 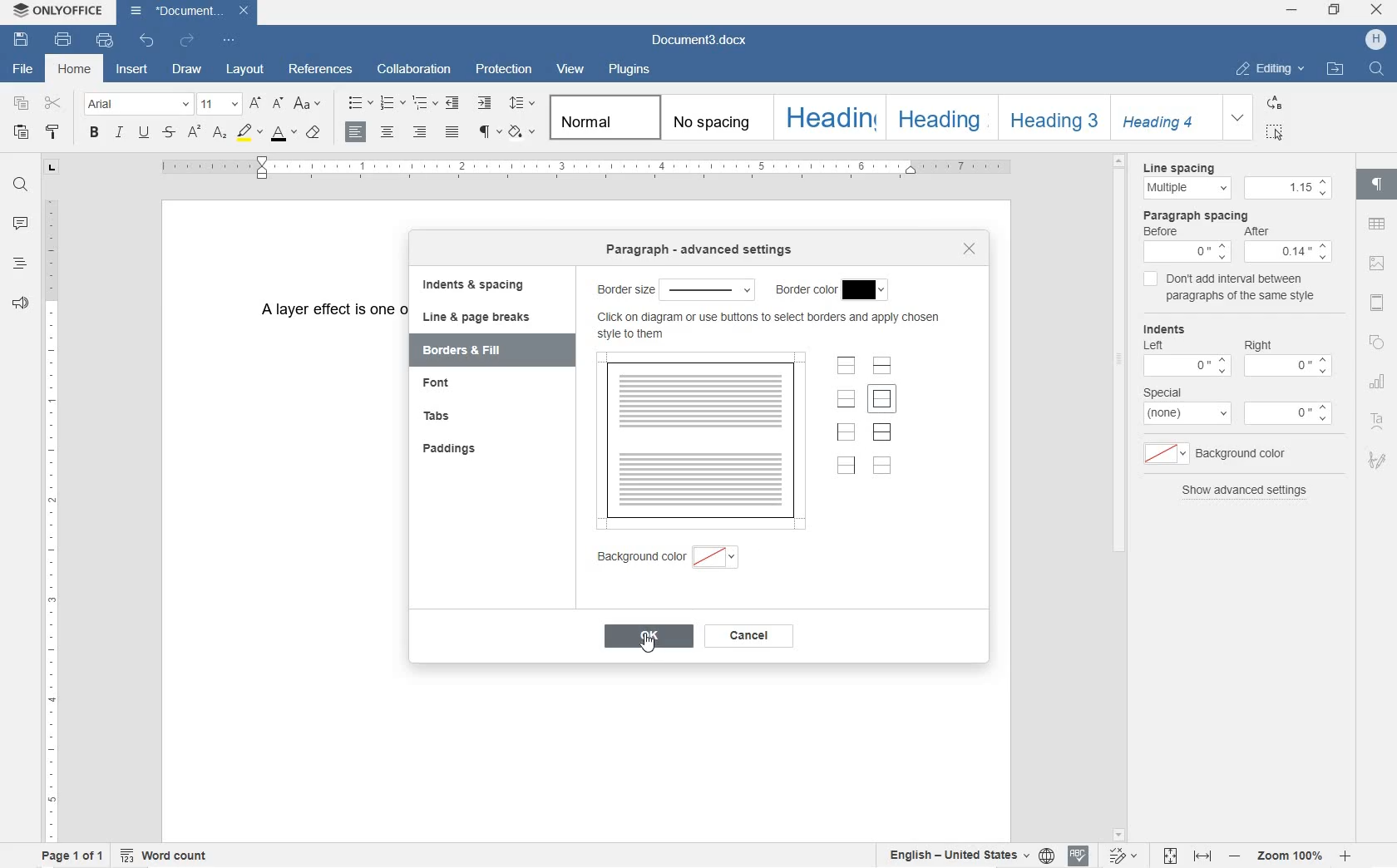 What do you see at coordinates (388, 132) in the screenshot?
I see `ALIGN CENTER` at bounding box center [388, 132].